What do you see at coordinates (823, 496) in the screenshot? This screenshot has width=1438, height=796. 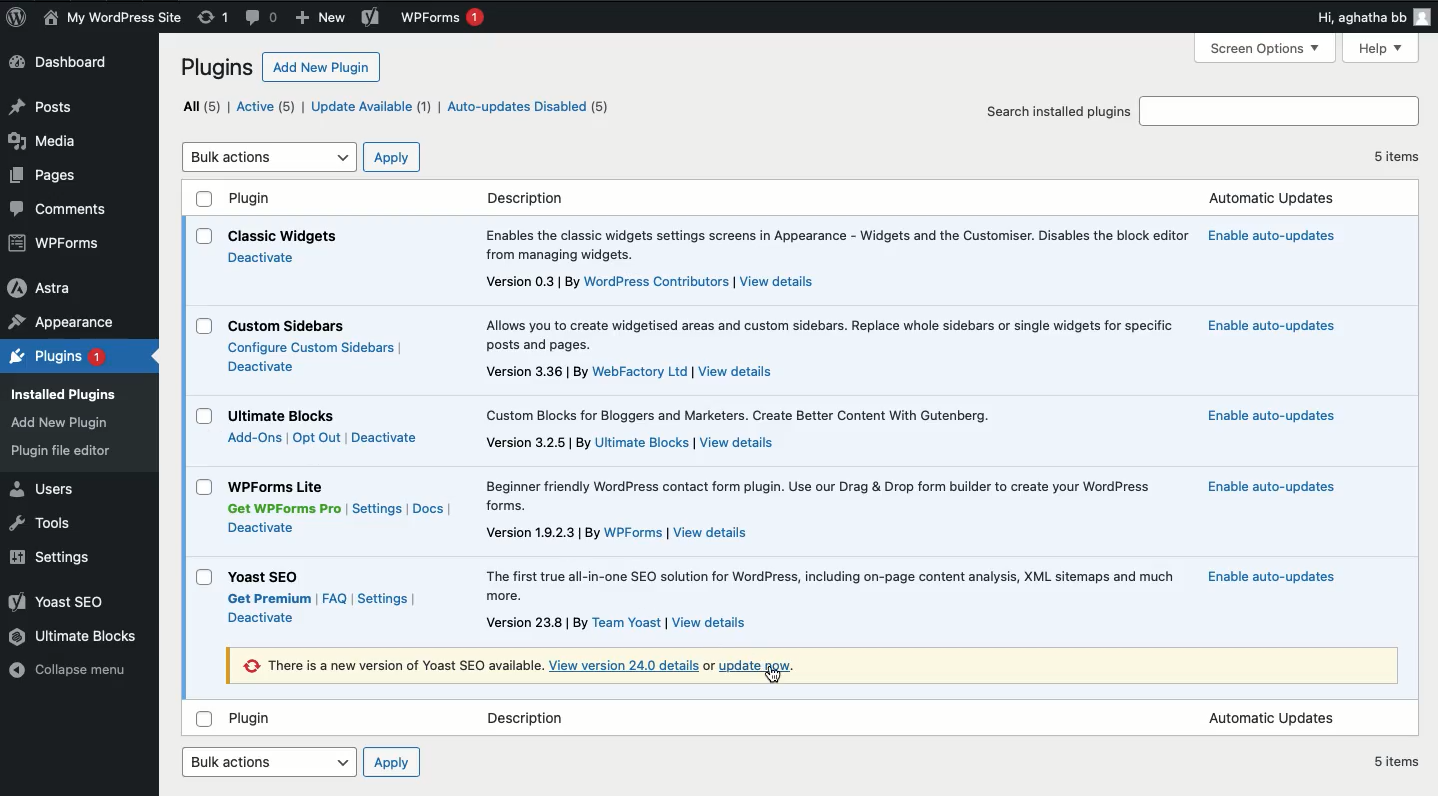 I see `Description` at bounding box center [823, 496].